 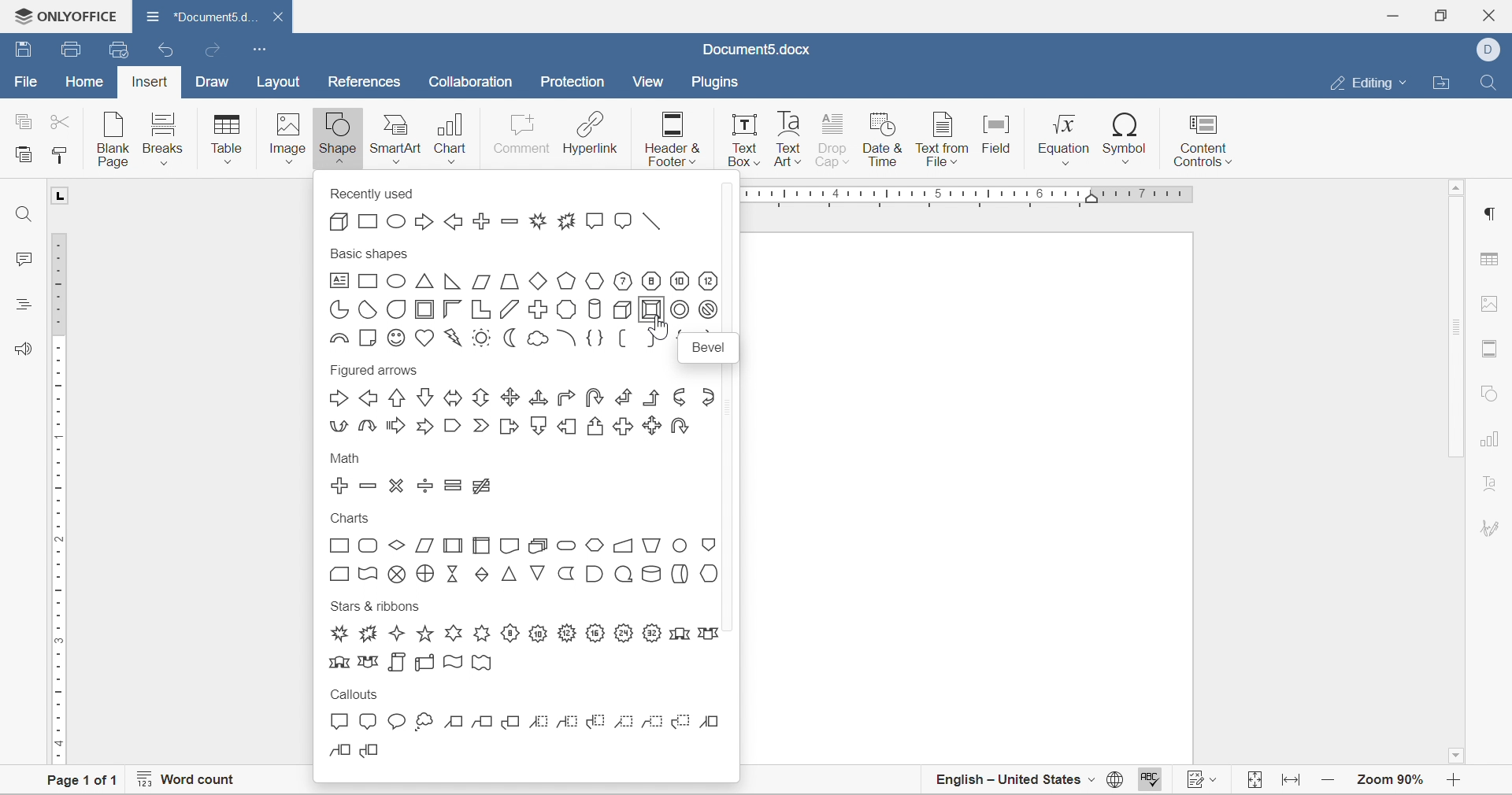 What do you see at coordinates (58, 495) in the screenshot?
I see `ruler` at bounding box center [58, 495].